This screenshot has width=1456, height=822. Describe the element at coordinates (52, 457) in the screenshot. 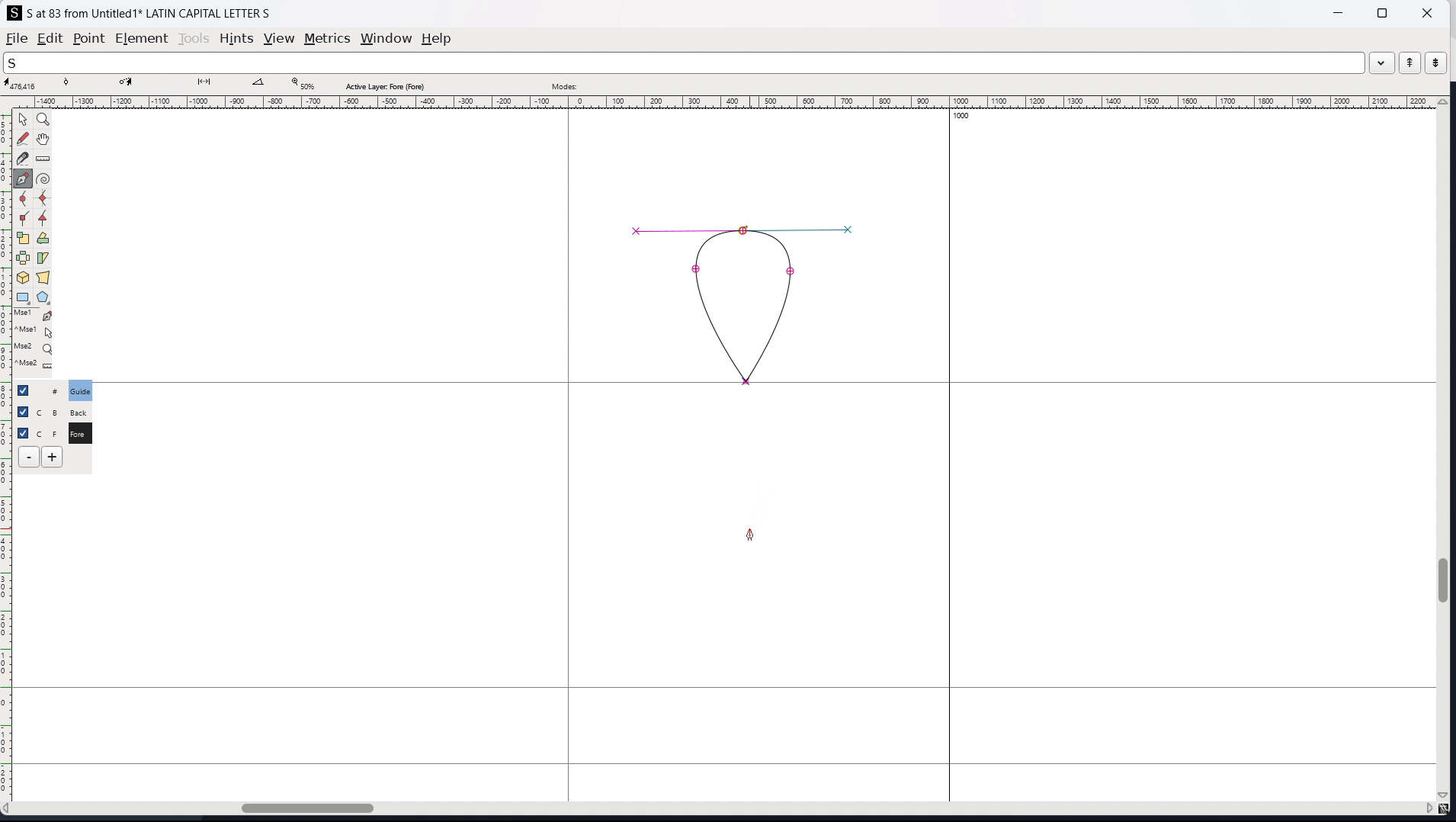

I see `add layers` at that location.